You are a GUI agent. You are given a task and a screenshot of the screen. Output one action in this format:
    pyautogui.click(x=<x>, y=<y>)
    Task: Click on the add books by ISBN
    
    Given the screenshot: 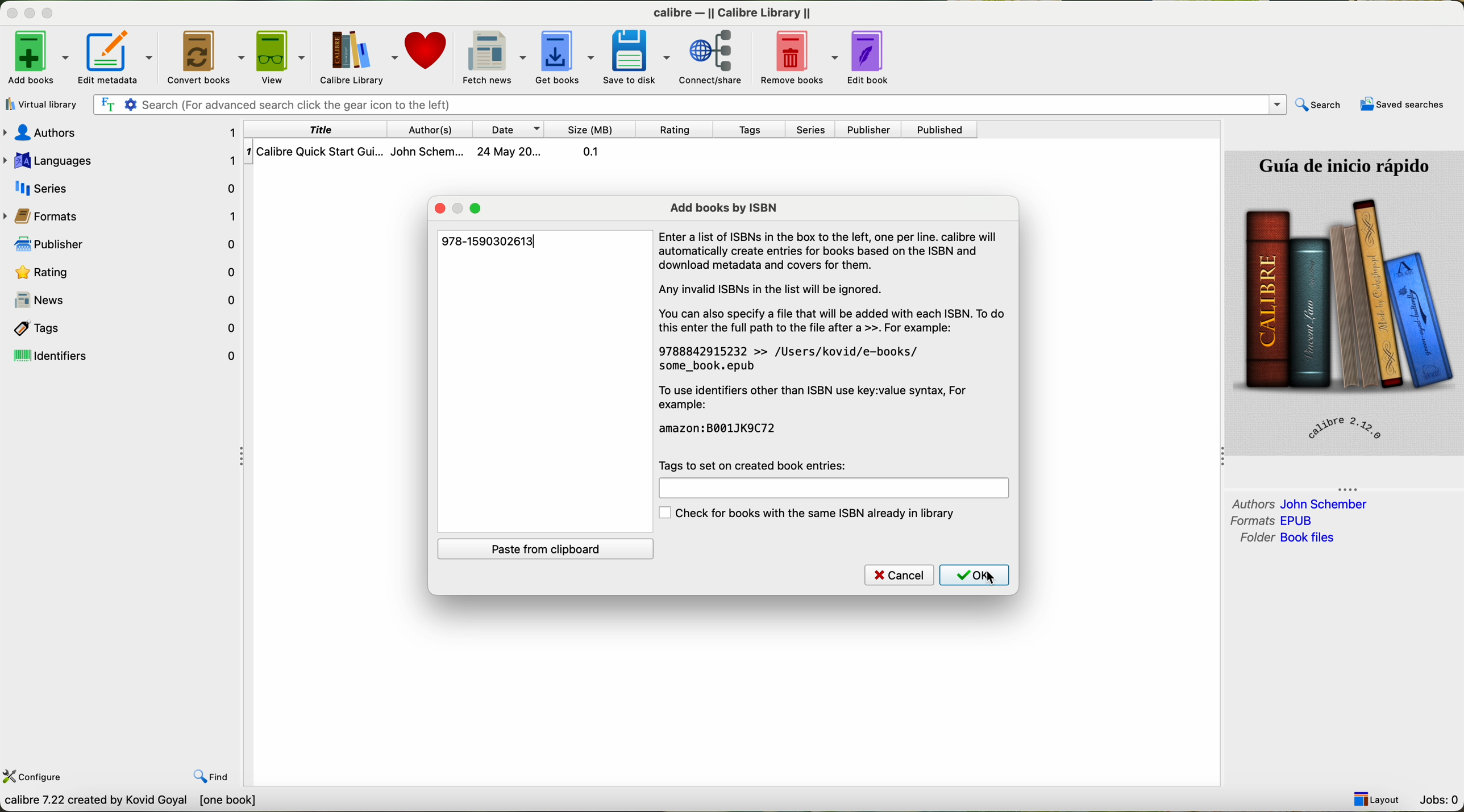 What is the action you would take?
    pyautogui.click(x=723, y=206)
    